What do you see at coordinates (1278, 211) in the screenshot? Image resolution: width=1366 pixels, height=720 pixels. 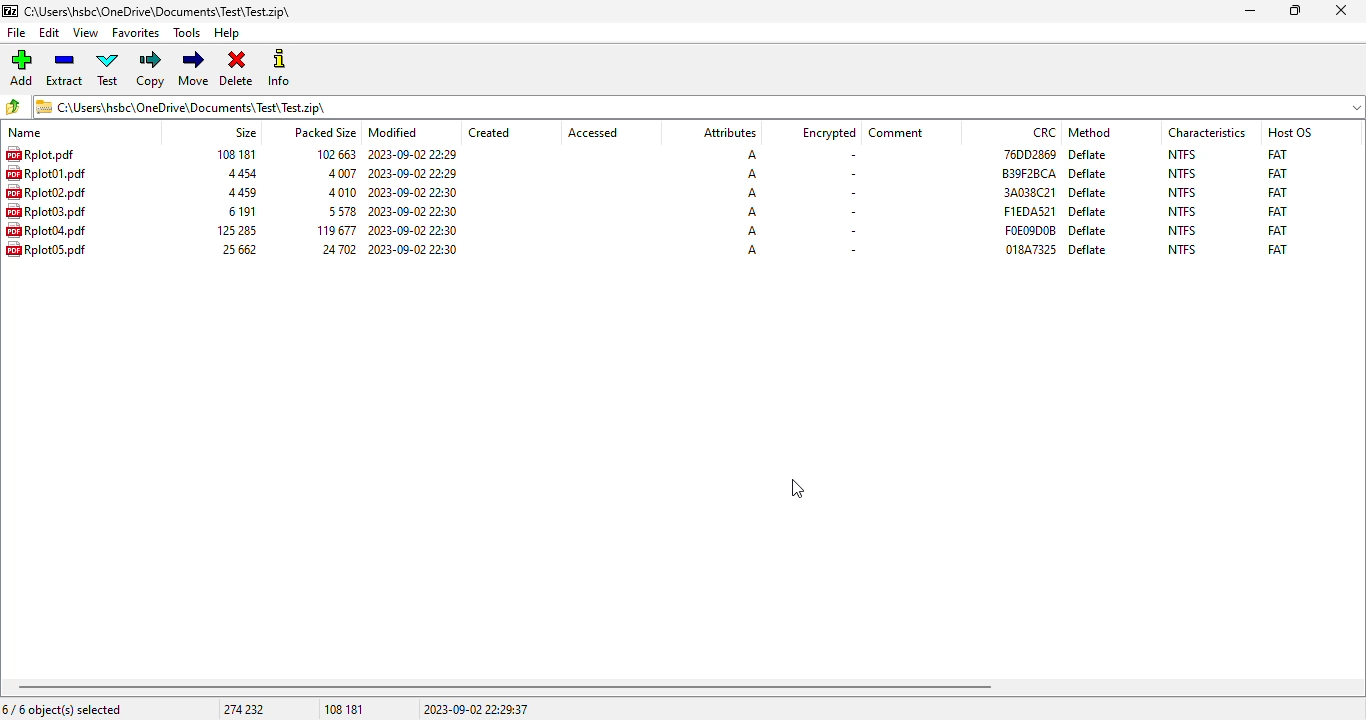 I see `FAT` at bounding box center [1278, 211].